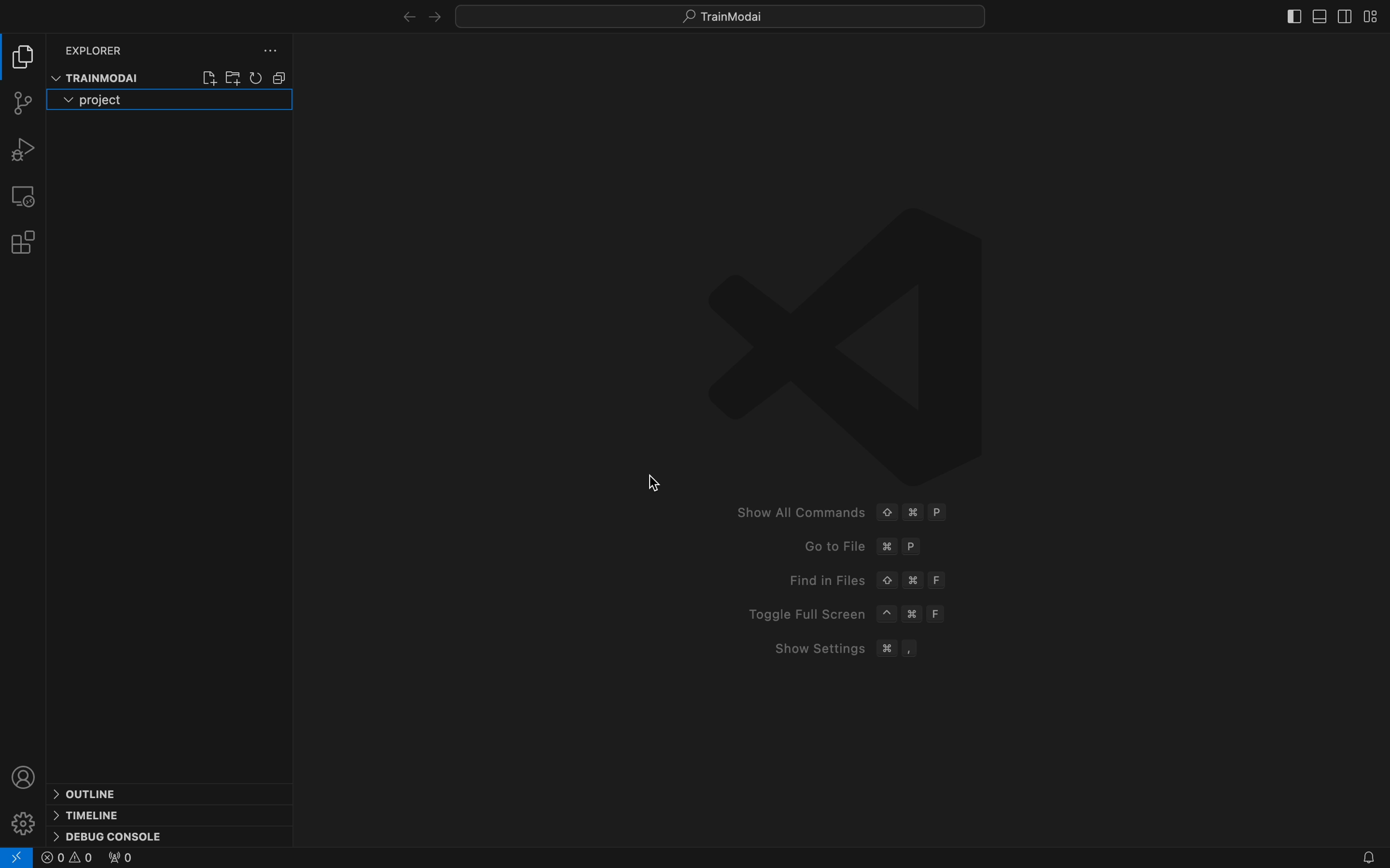 The width and height of the screenshot is (1390, 868). I want to click on quick toolbar, so click(736, 15).